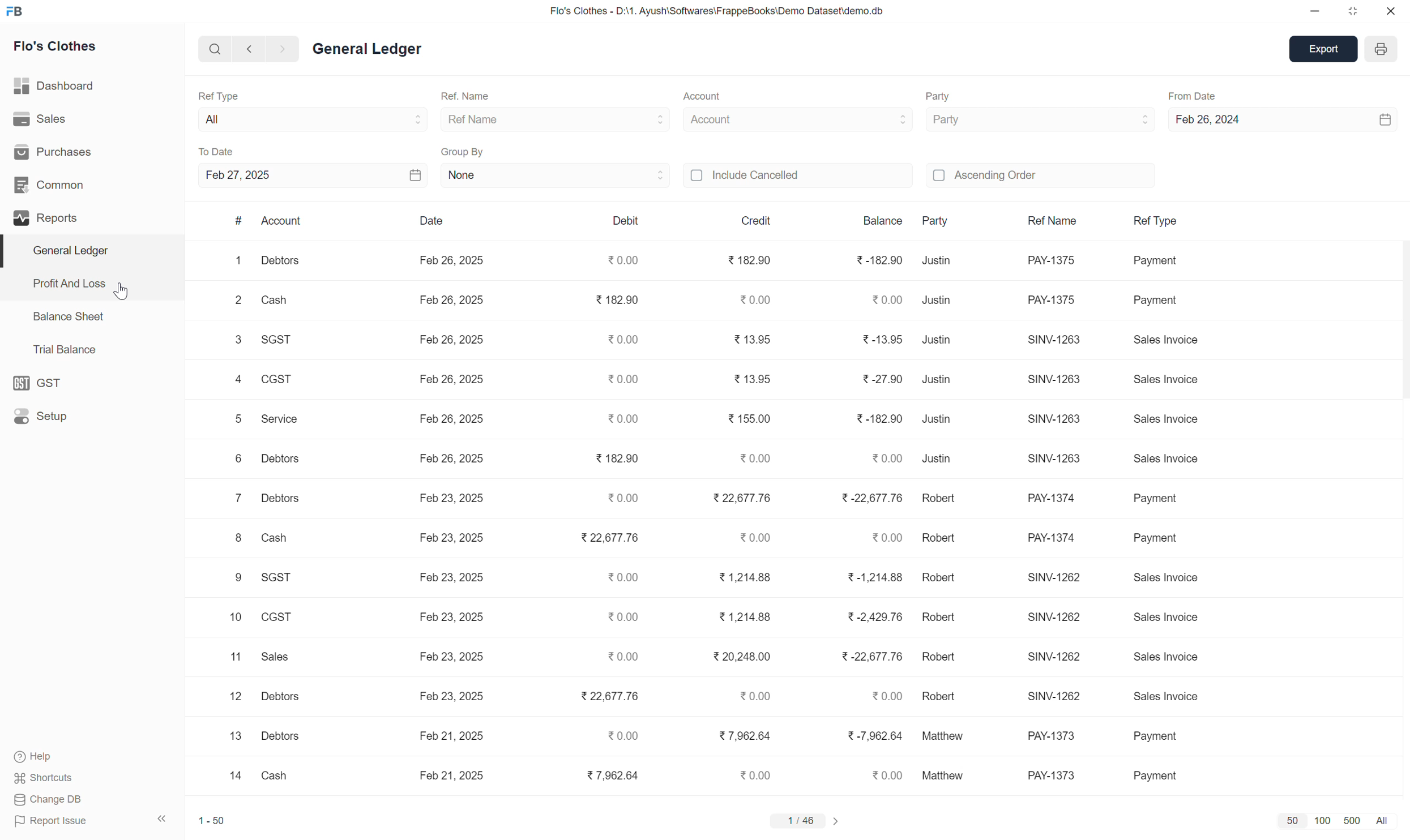 This screenshot has width=1410, height=840. Describe the element at coordinates (1385, 46) in the screenshot. I see `Open report print view` at that location.